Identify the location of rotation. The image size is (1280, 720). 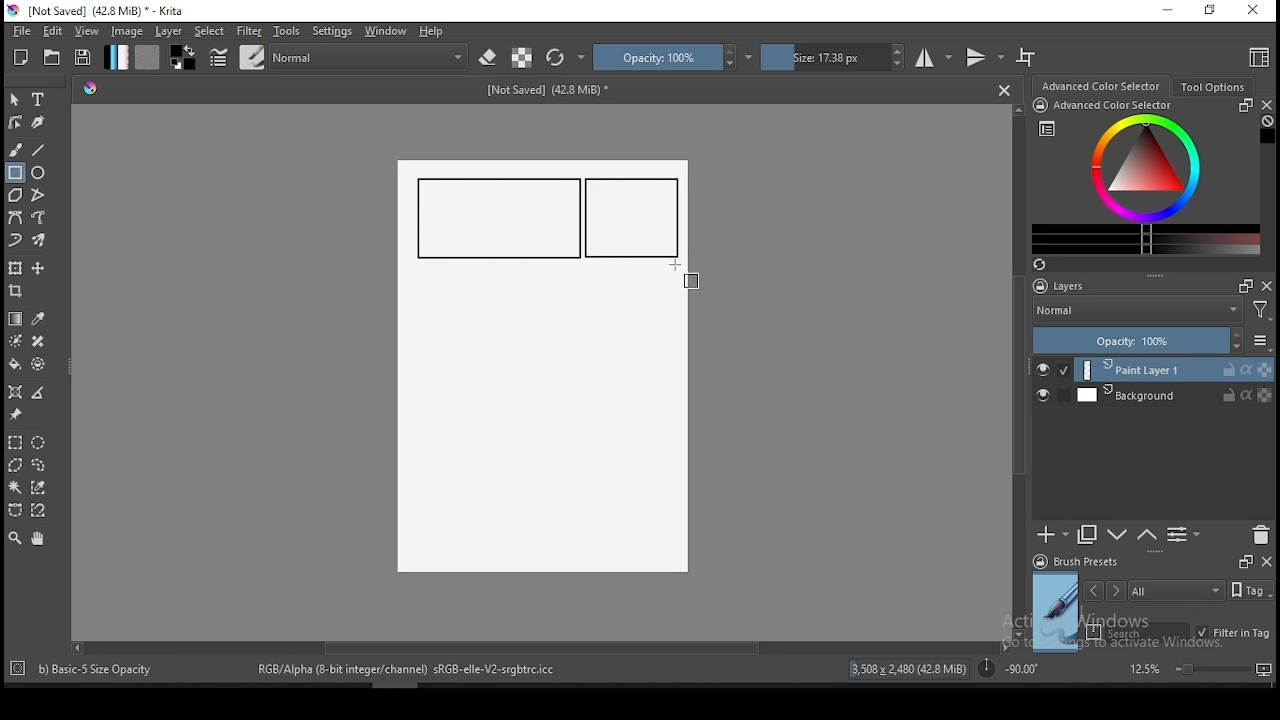
(1008, 667).